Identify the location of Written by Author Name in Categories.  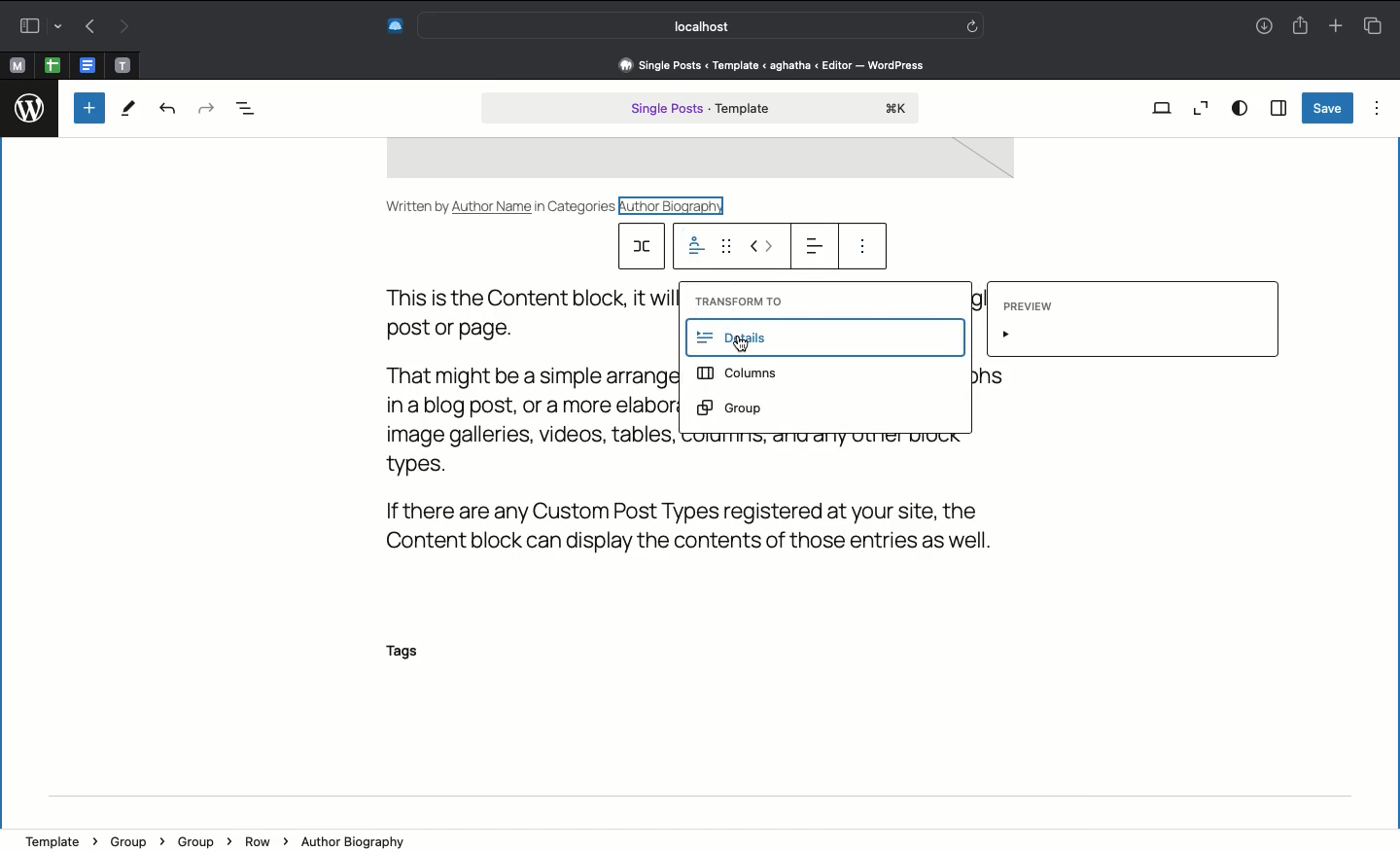
(502, 204).